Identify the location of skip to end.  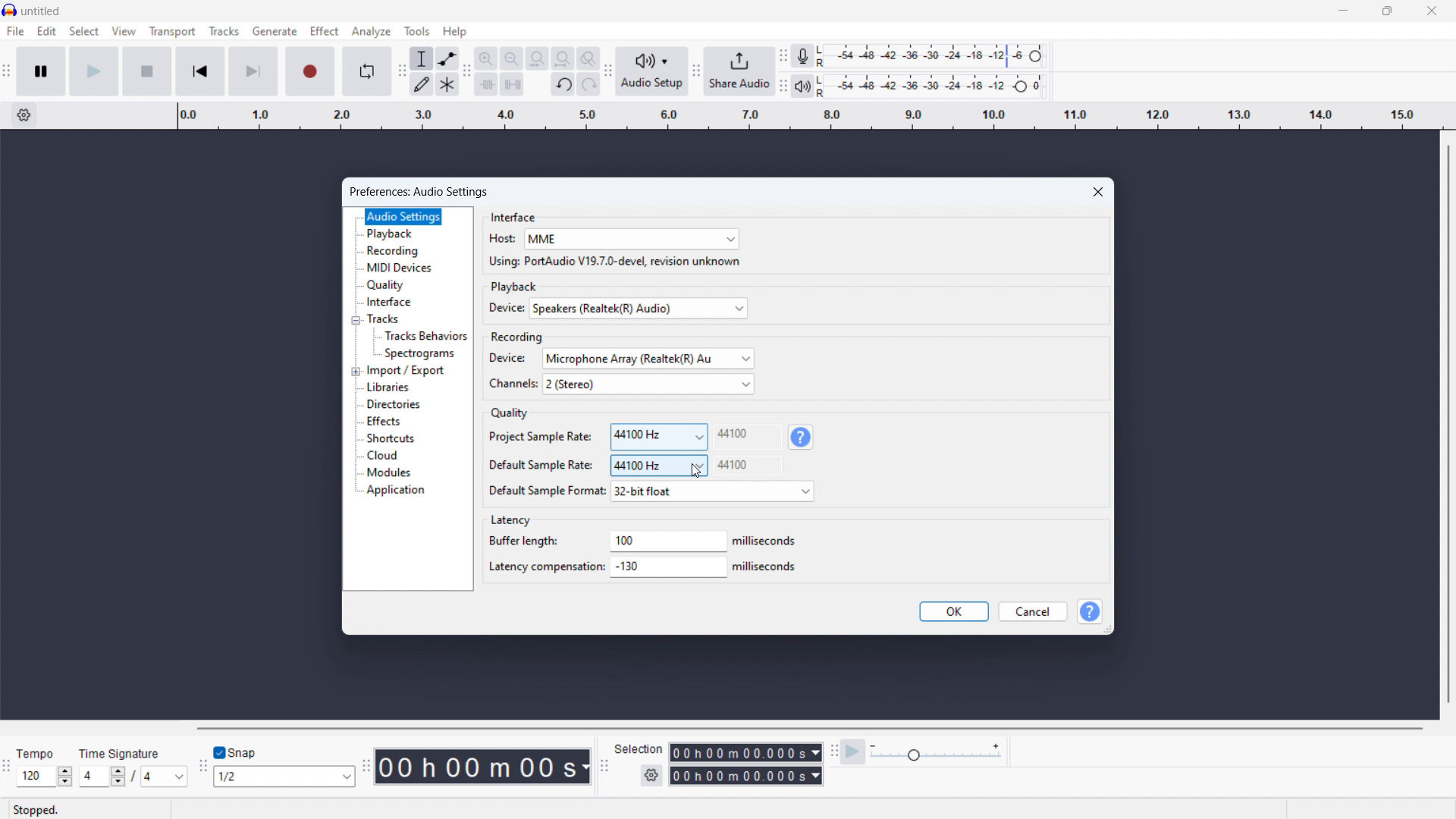
(255, 71).